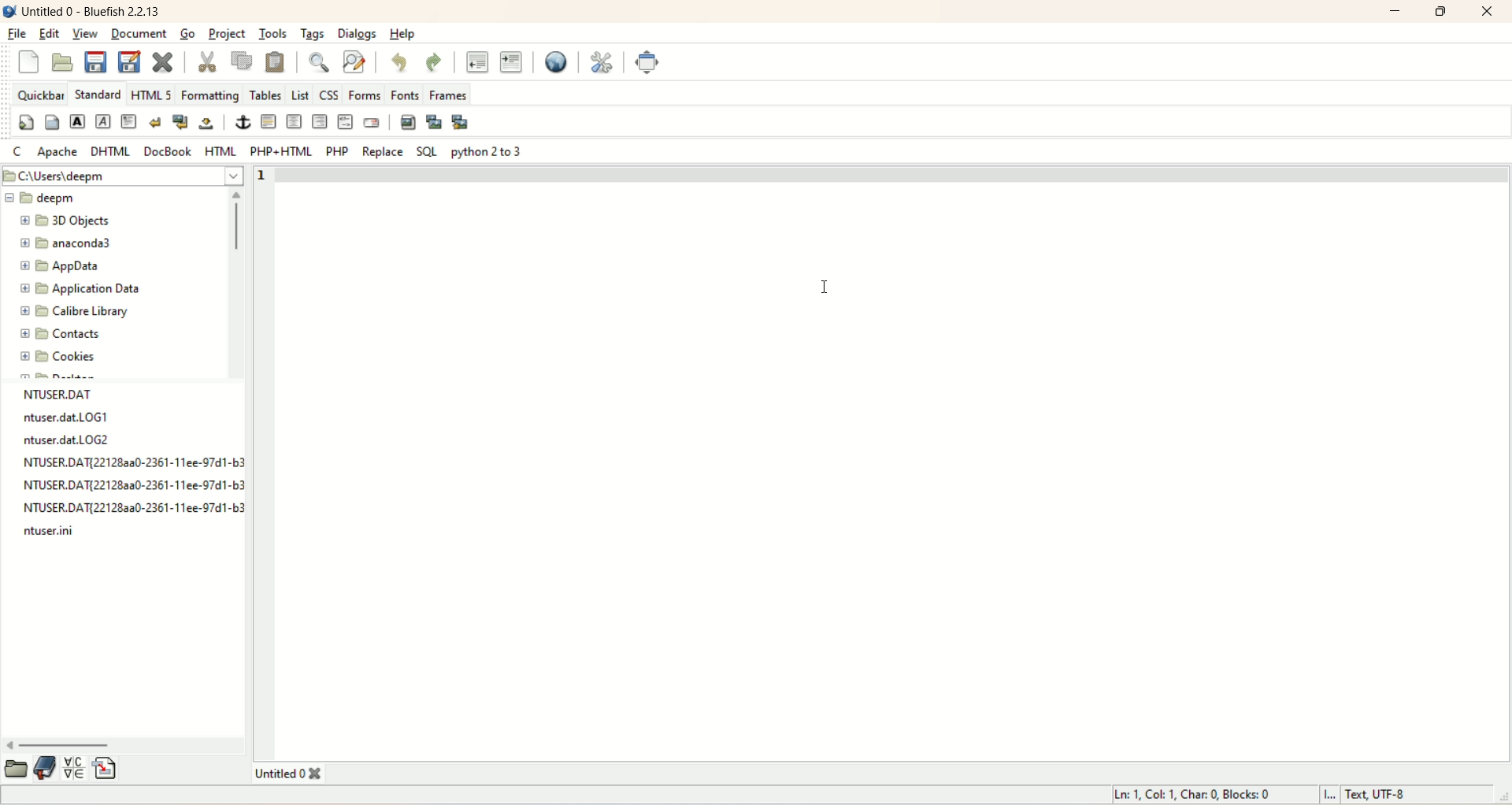 This screenshot has width=1512, height=805. I want to click on cookies, so click(58, 358).